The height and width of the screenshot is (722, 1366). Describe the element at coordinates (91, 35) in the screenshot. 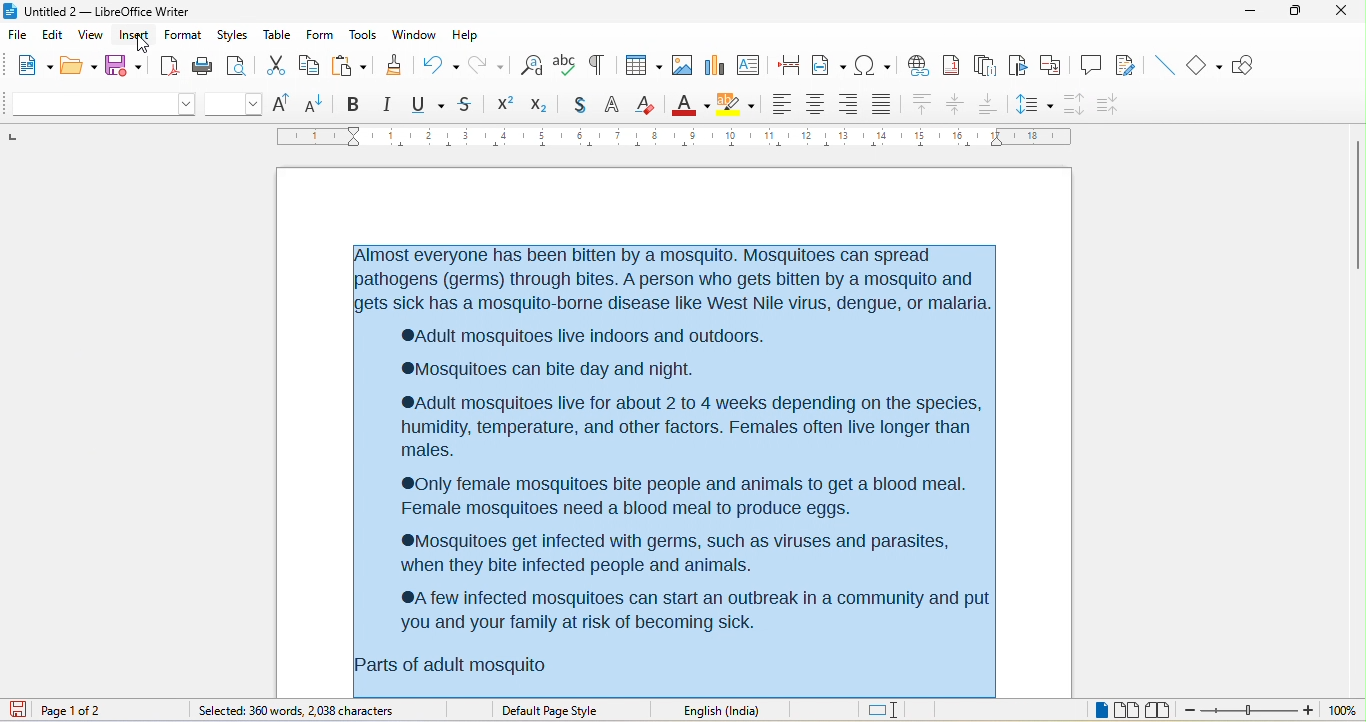

I see `view` at that location.